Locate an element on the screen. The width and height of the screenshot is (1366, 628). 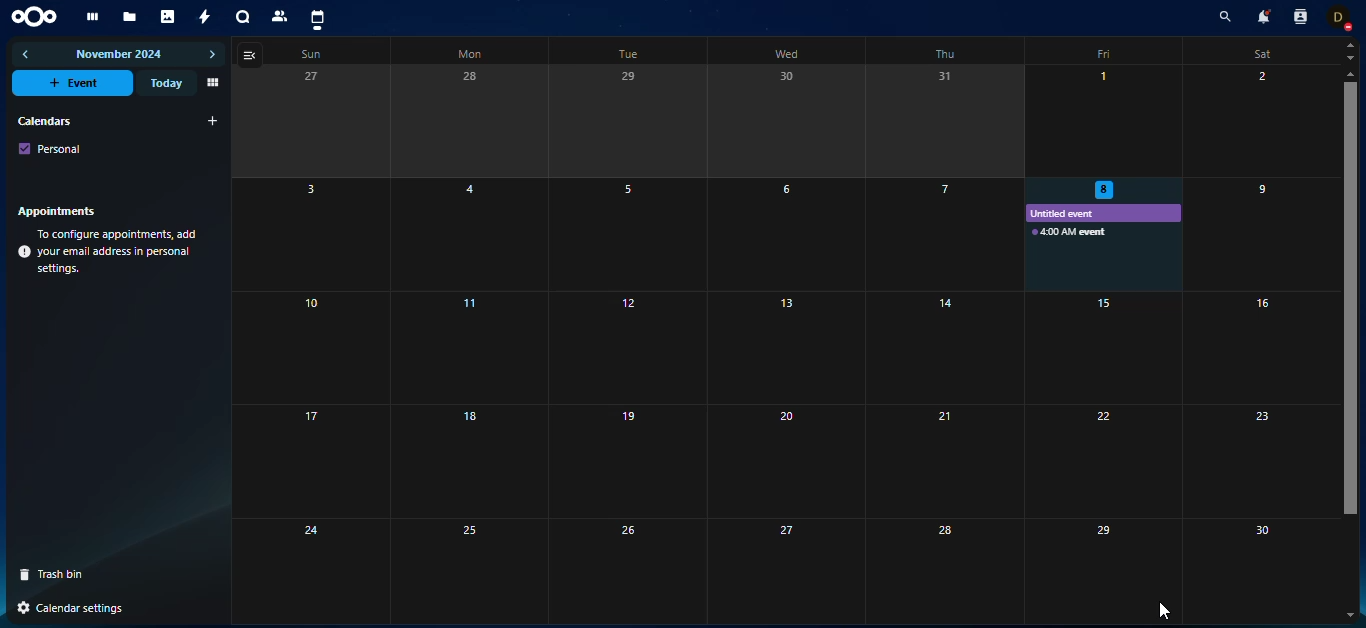
appointments is located at coordinates (62, 210).